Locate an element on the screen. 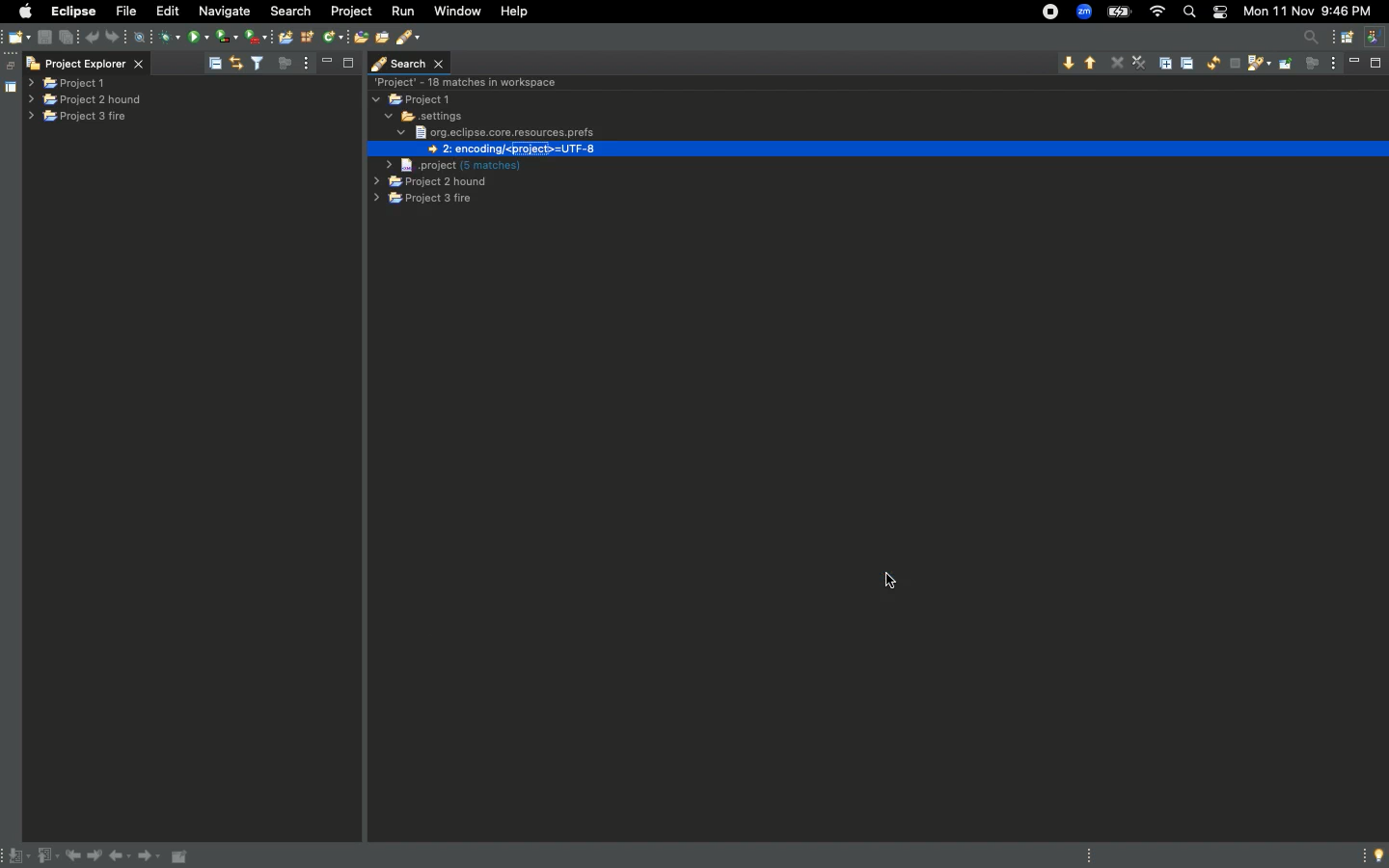 This screenshot has height=868, width=1389. new java class is located at coordinates (333, 38).